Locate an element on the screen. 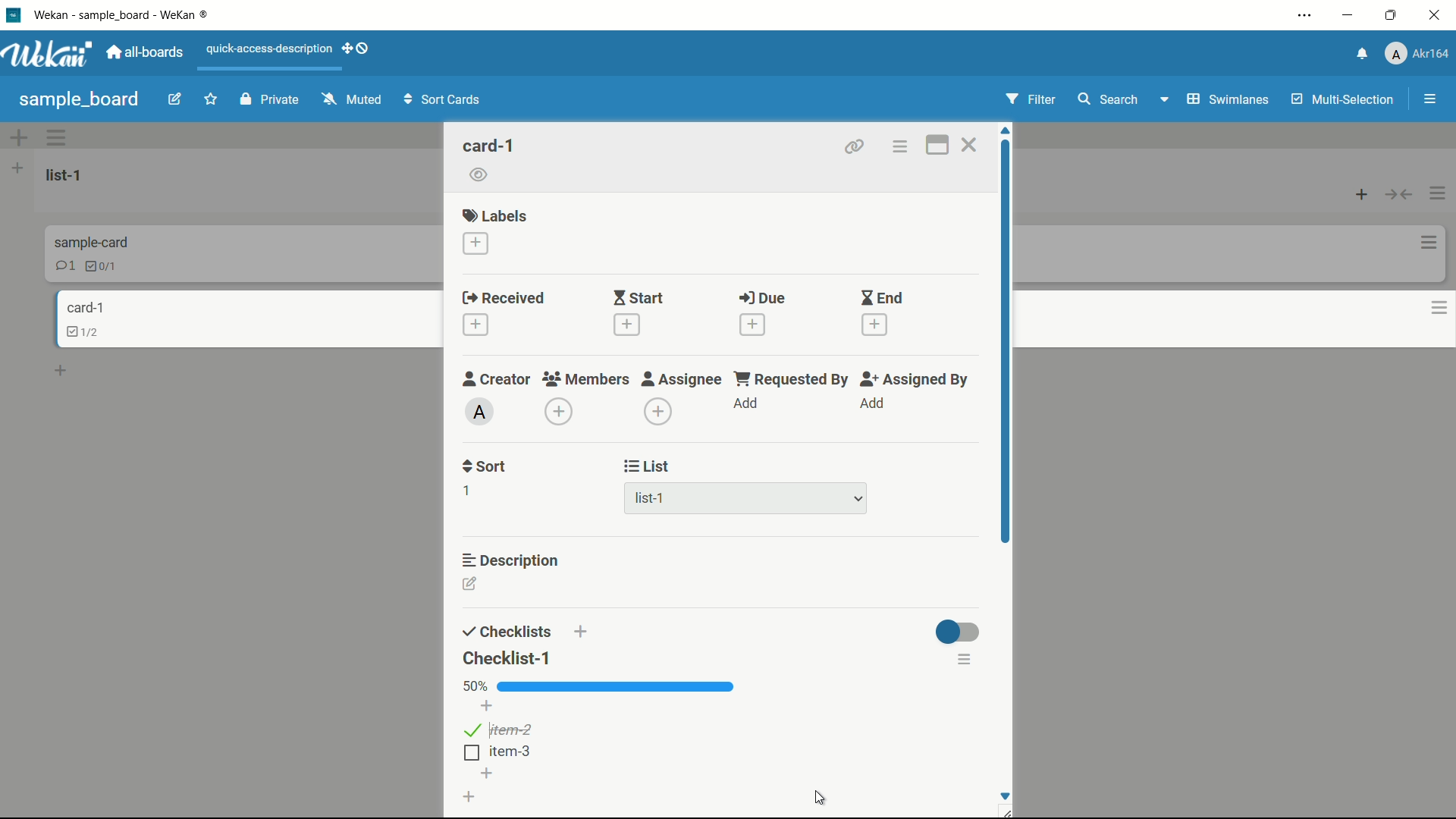 The width and height of the screenshot is (1456, 819). 1 comment is located at coordinates (64, 265).